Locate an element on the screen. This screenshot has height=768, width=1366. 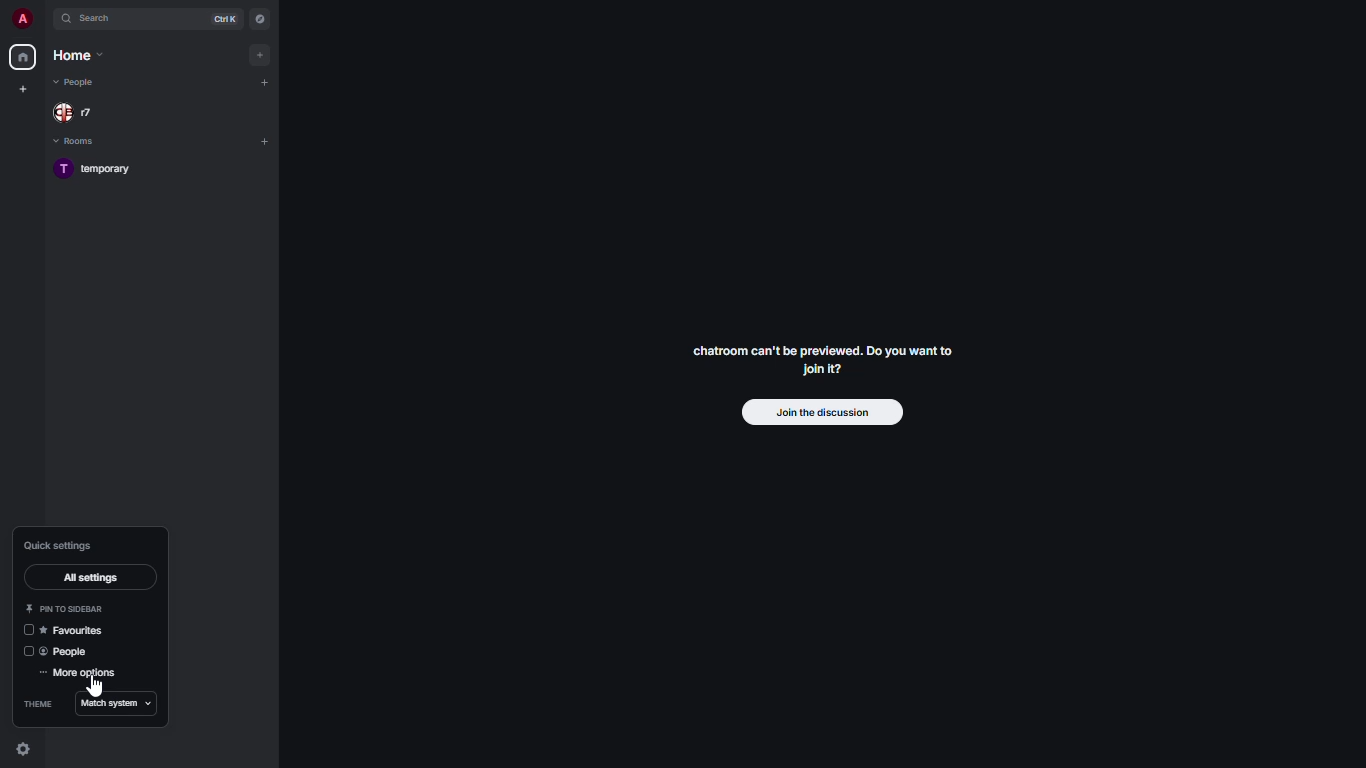
join the discussion is located at coordinates (818, 413).